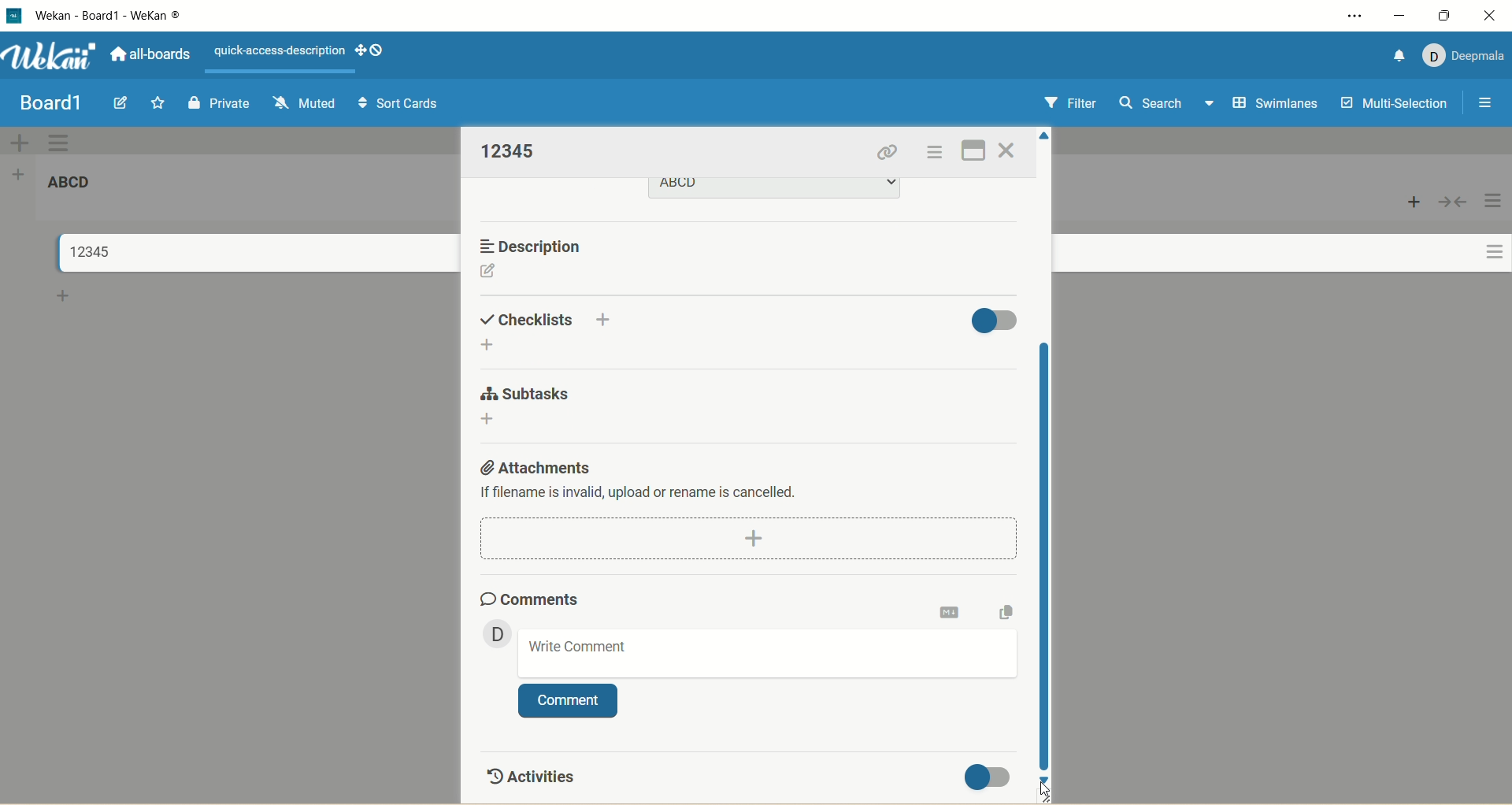  What do you see at coordinates (399, 106) in the screenshot?
I see `sort cards` at bounding box center [399, 106].